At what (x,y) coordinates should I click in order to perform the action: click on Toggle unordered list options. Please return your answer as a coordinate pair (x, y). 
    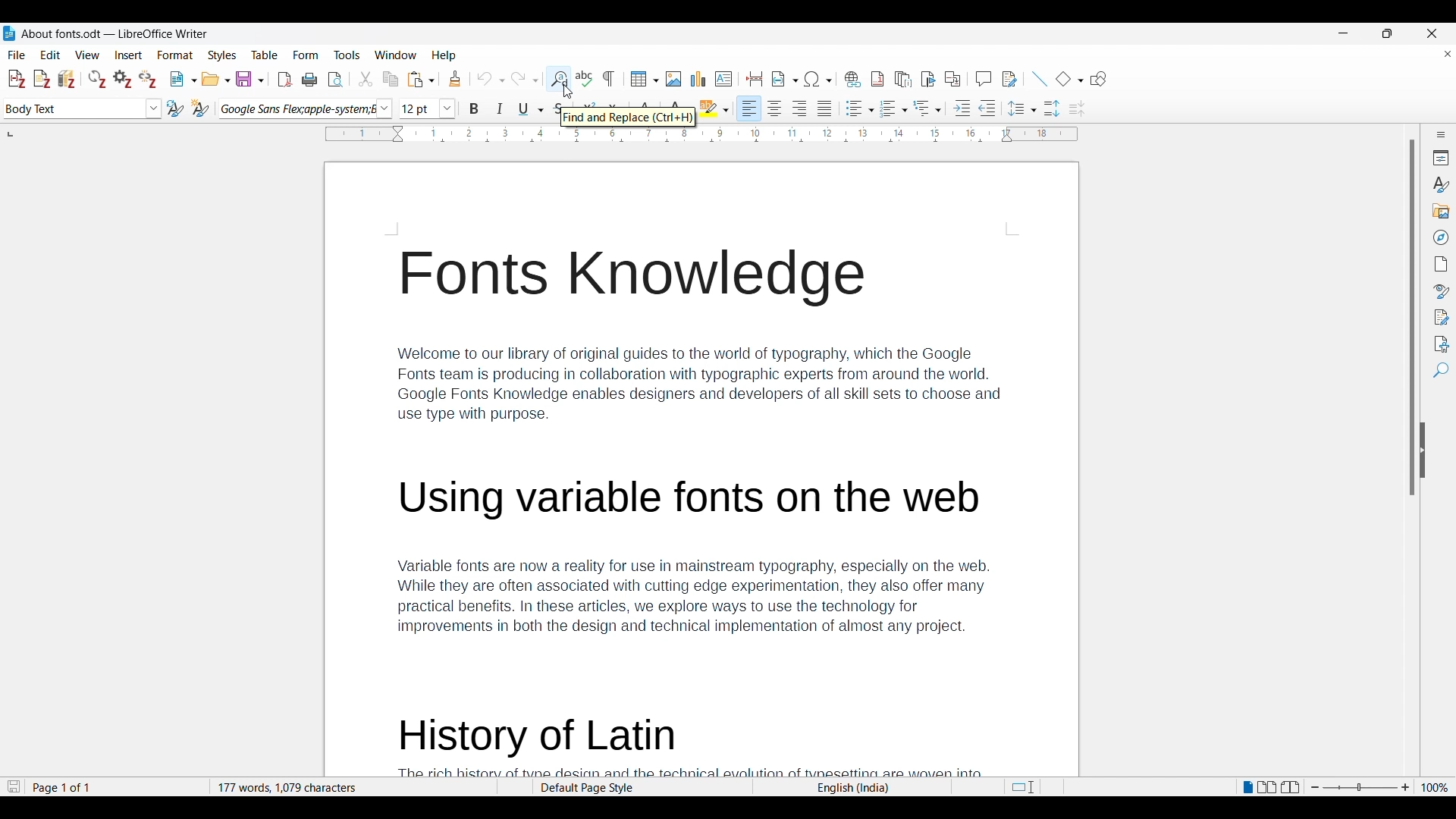
    Looking at the image, I should click on (859, 108).